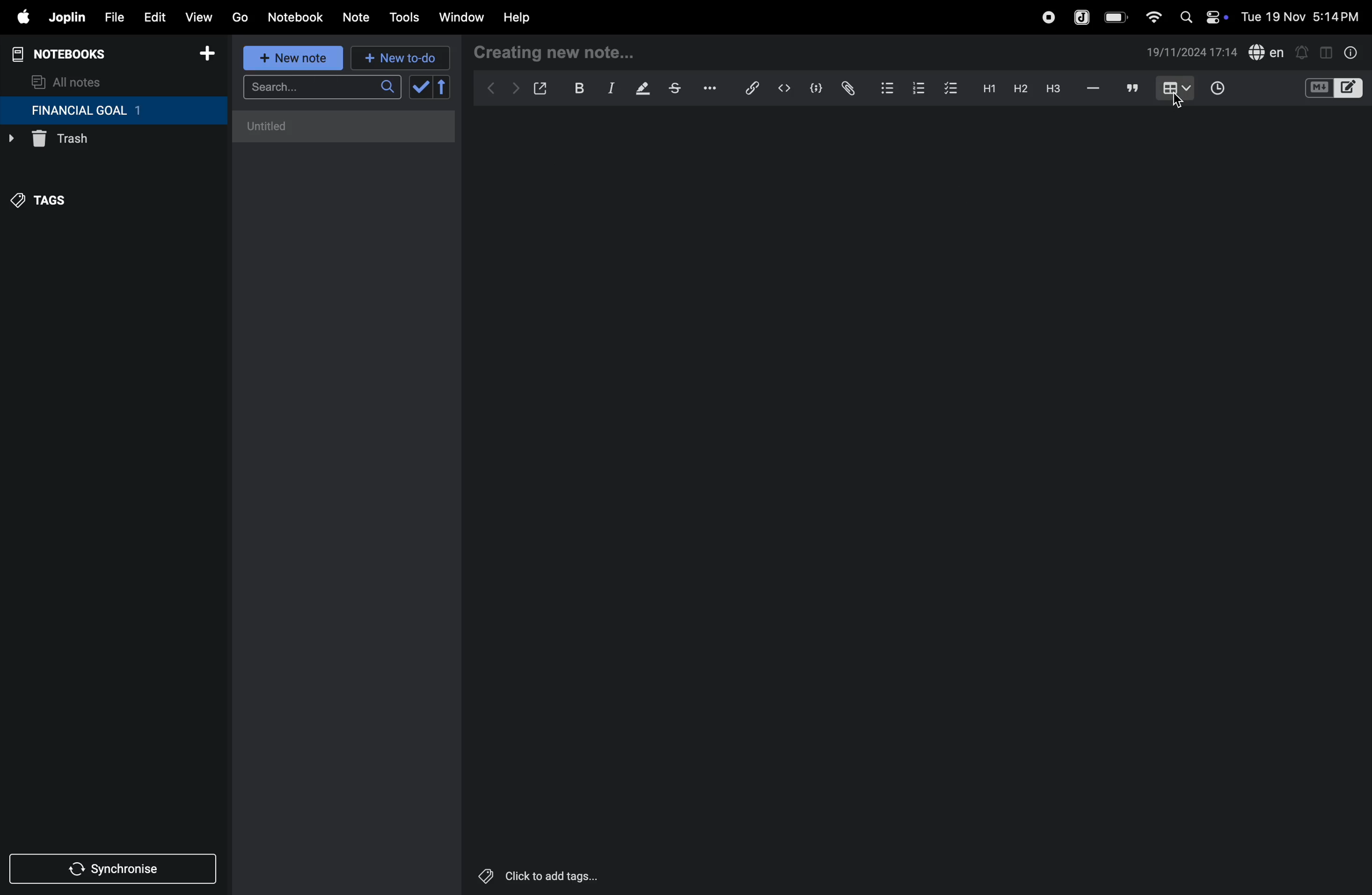  Describe the element at coordinates (1053, 89) in the screenshot. I see `heading 3` at that location.